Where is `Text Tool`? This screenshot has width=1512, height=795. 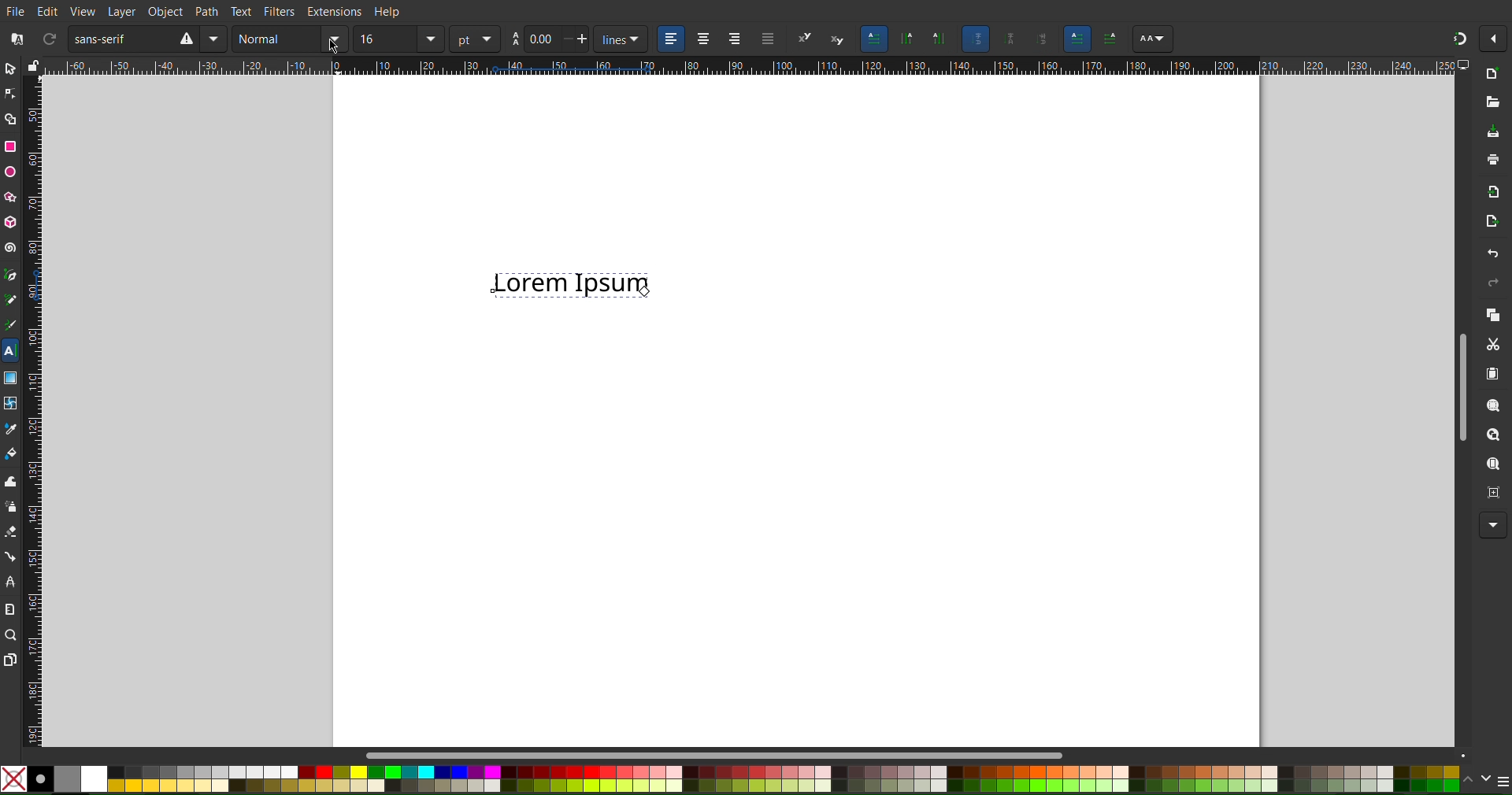
Text Tool is located at coordinates (11, 349).